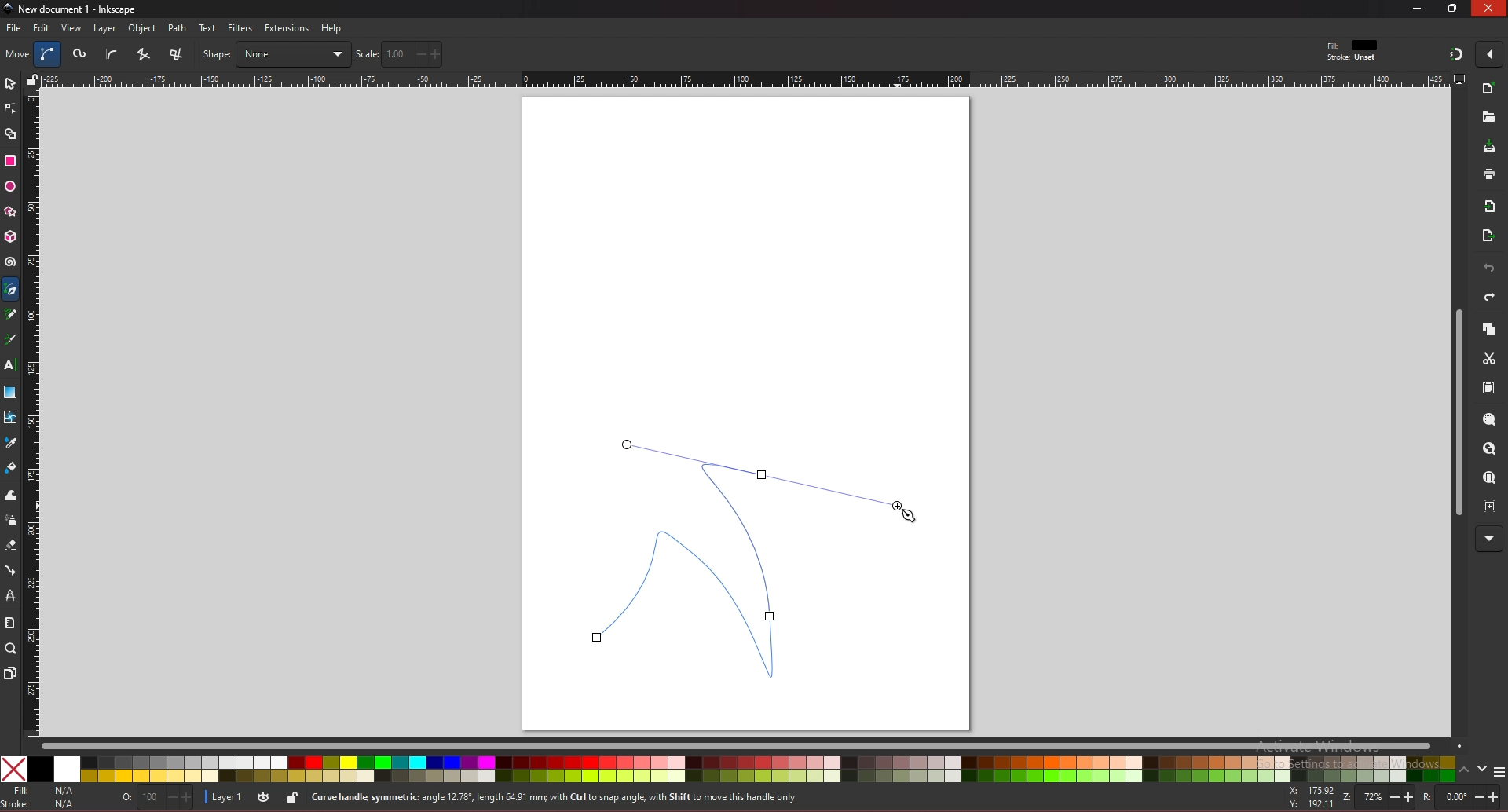  I want to click on scroll bar, so click(751, 744).